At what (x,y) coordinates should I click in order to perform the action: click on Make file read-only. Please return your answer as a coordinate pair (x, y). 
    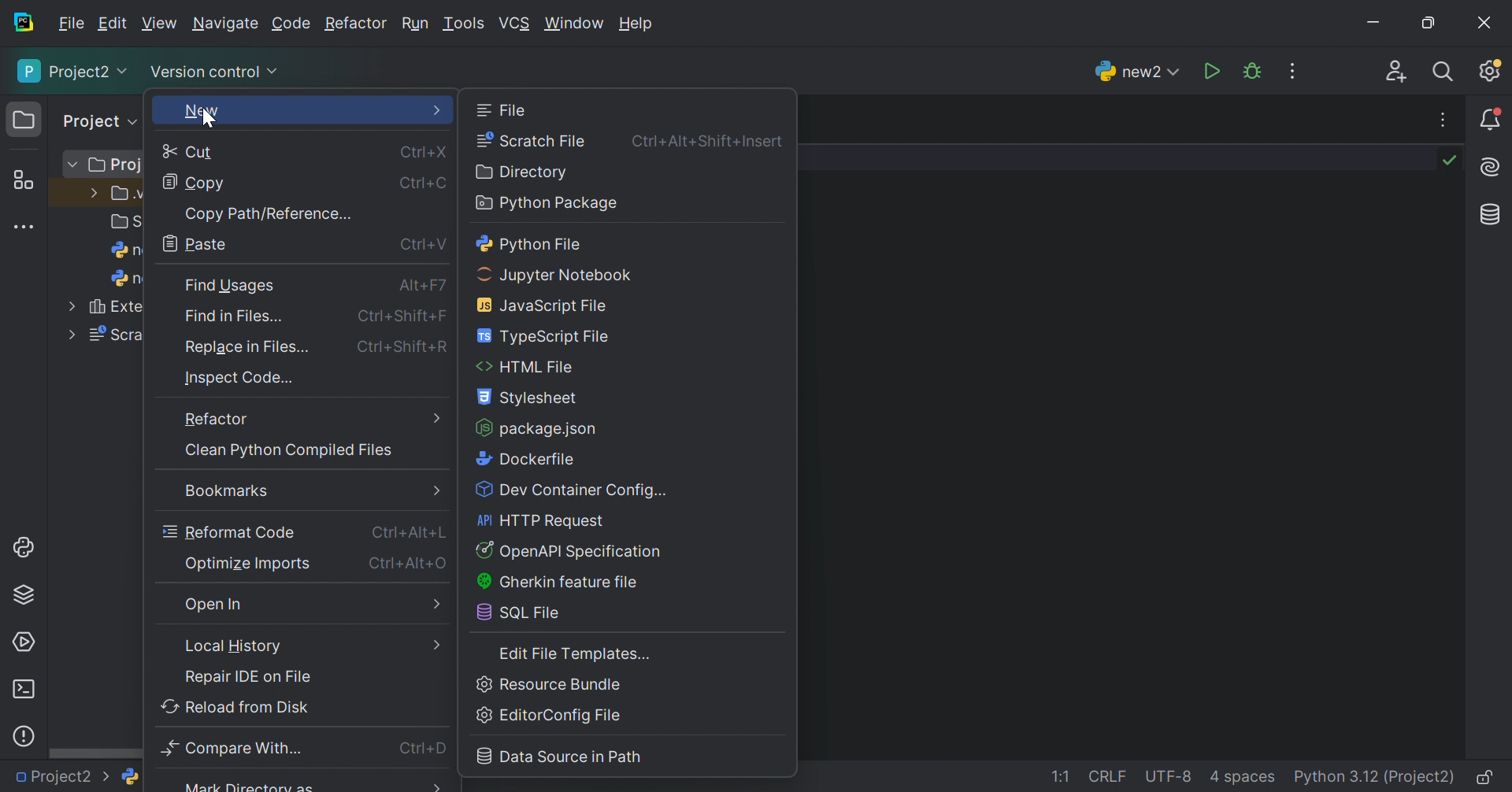
    Looking at the image, I should click on (1486, 776).